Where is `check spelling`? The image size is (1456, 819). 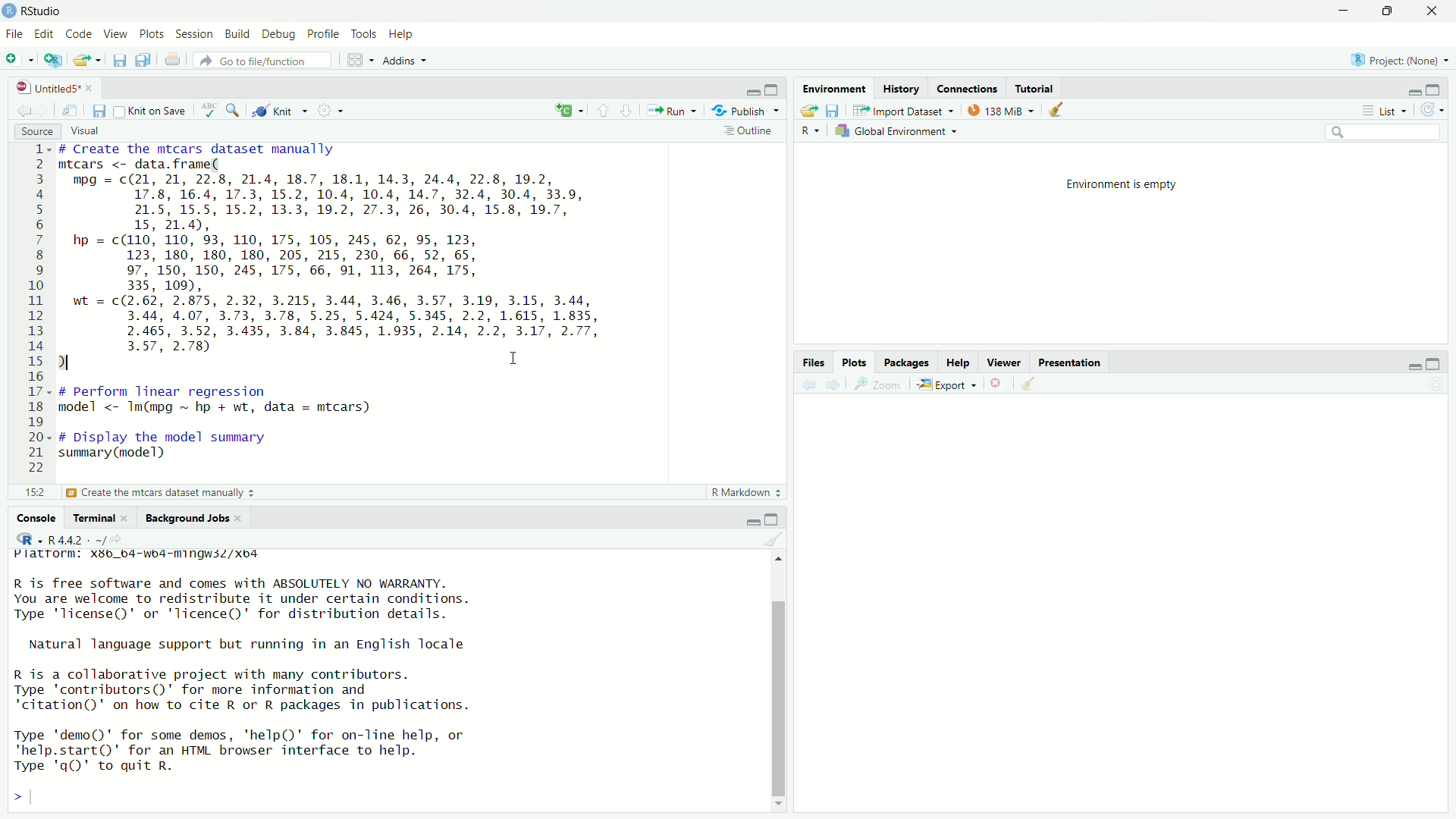 check spelling is located at coordinates (208, 111).